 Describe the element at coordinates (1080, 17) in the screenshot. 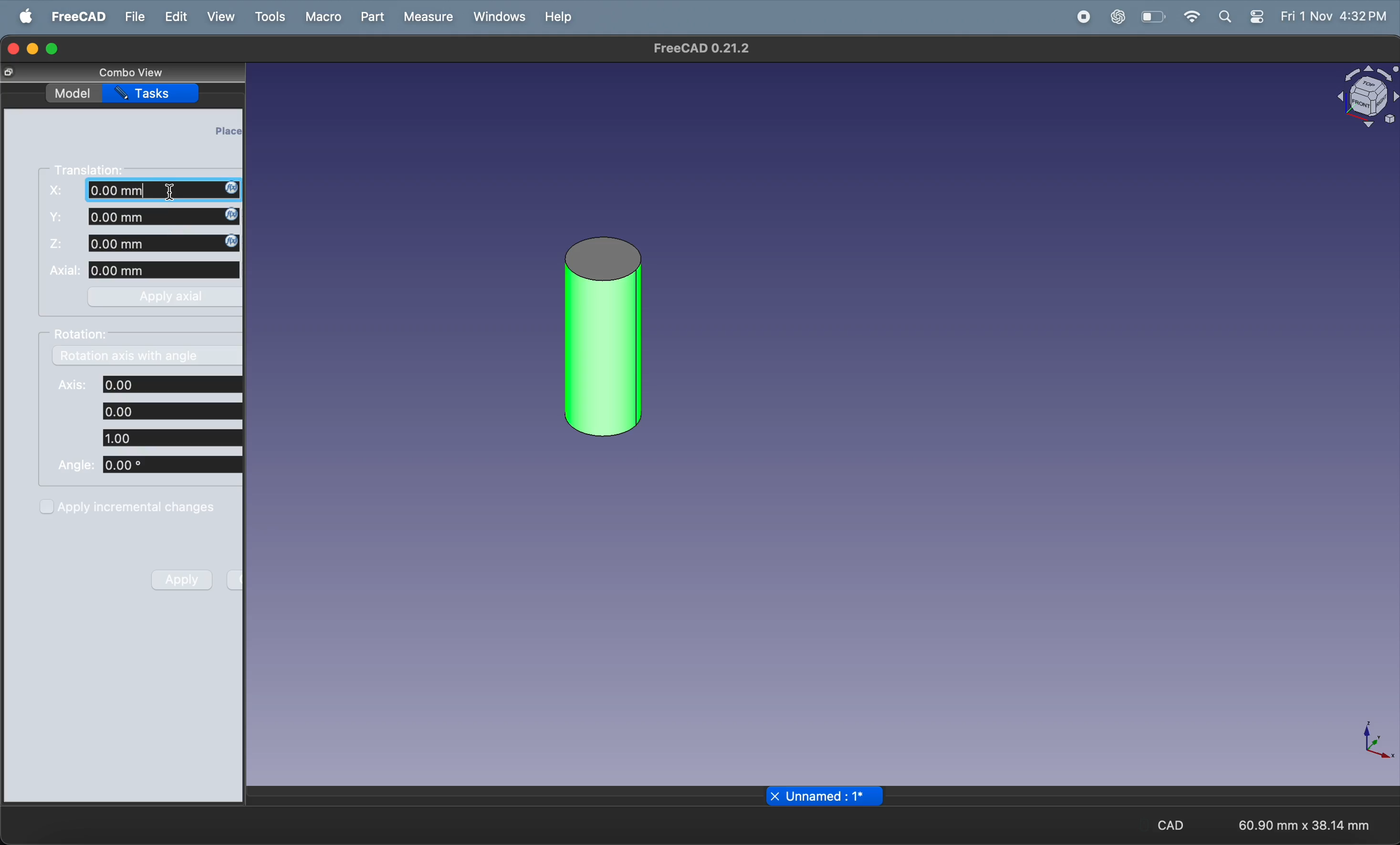

I see `record` at that location.